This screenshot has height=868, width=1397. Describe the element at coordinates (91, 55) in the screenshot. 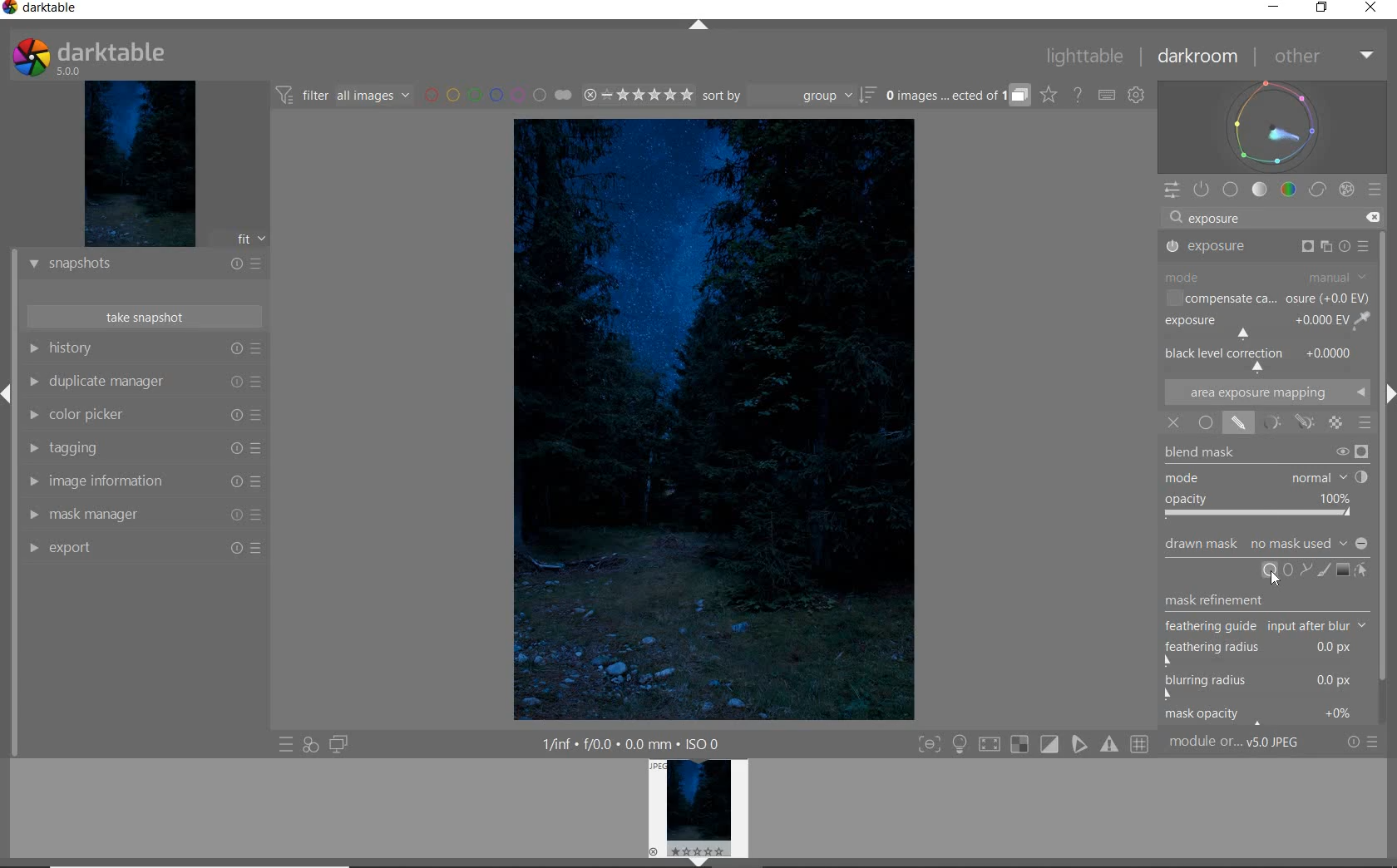

I see `SYSTEM LOGO` at that location.